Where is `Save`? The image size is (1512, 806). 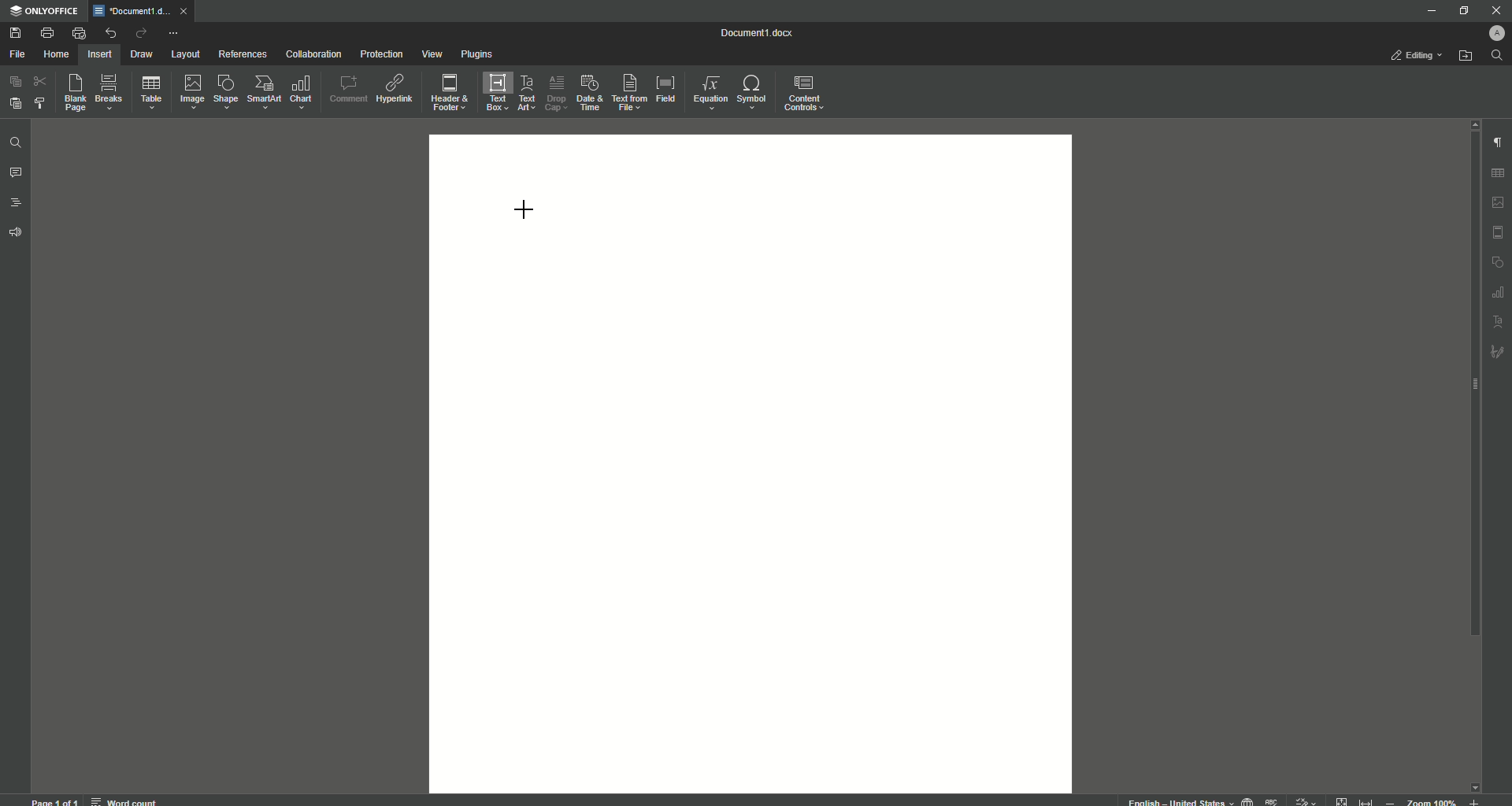
Save is located at coordinates (17, 34).